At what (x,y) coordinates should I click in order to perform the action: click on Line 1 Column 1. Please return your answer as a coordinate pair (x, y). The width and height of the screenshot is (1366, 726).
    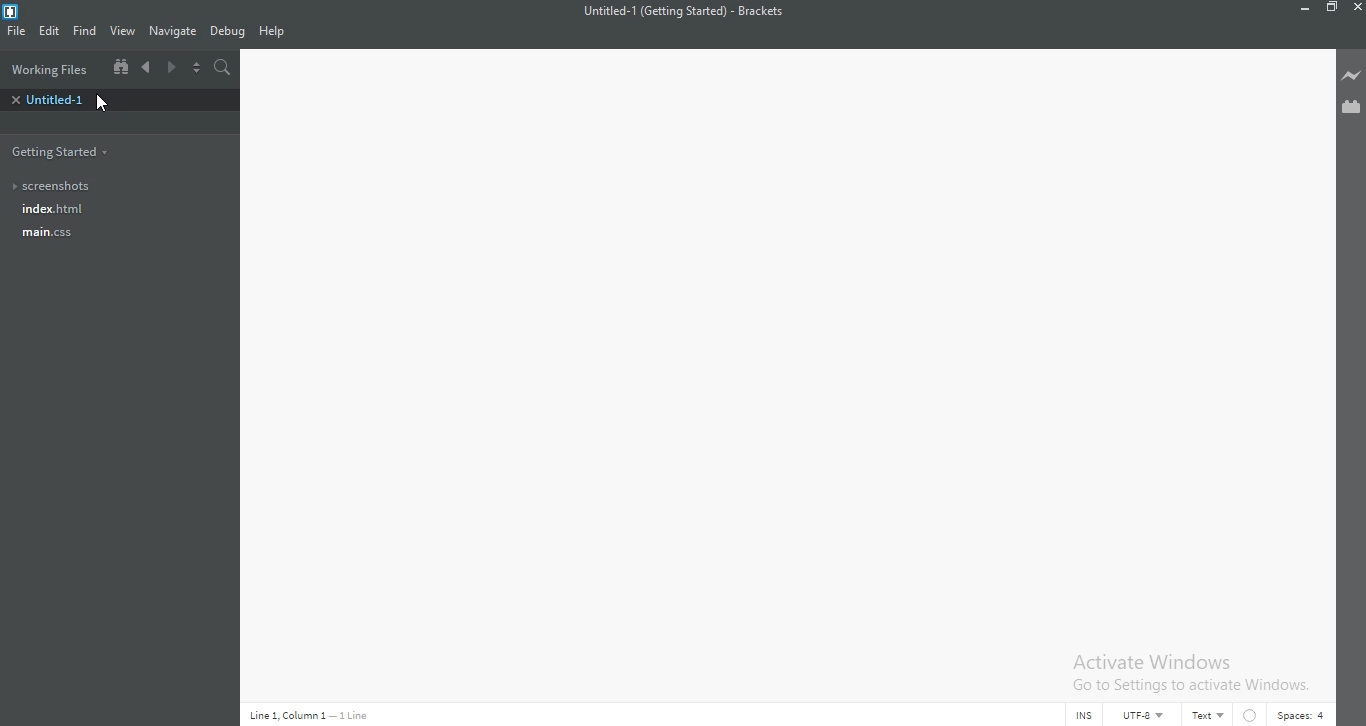
    Looking at the image, I should click on (311, 717).